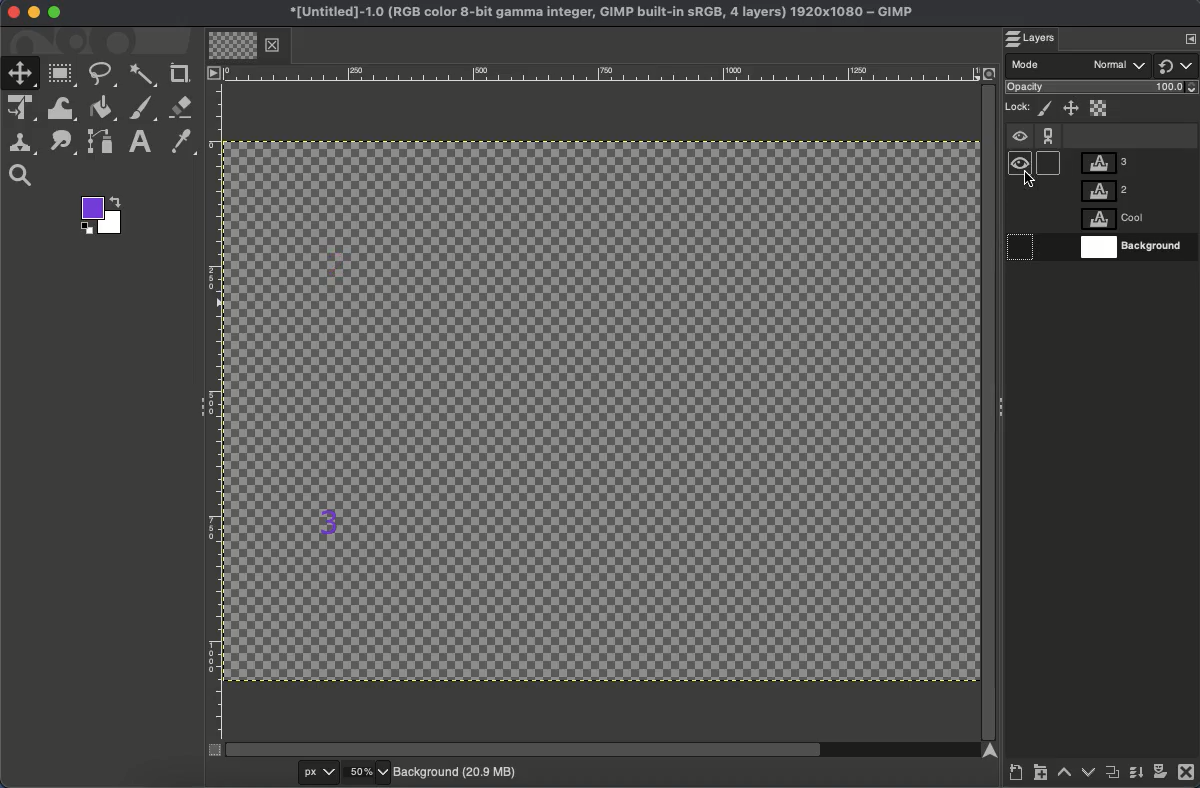 Image resolution: width=1200 pixels, height=788 pixels. I want to click on px, so click(303, 772).